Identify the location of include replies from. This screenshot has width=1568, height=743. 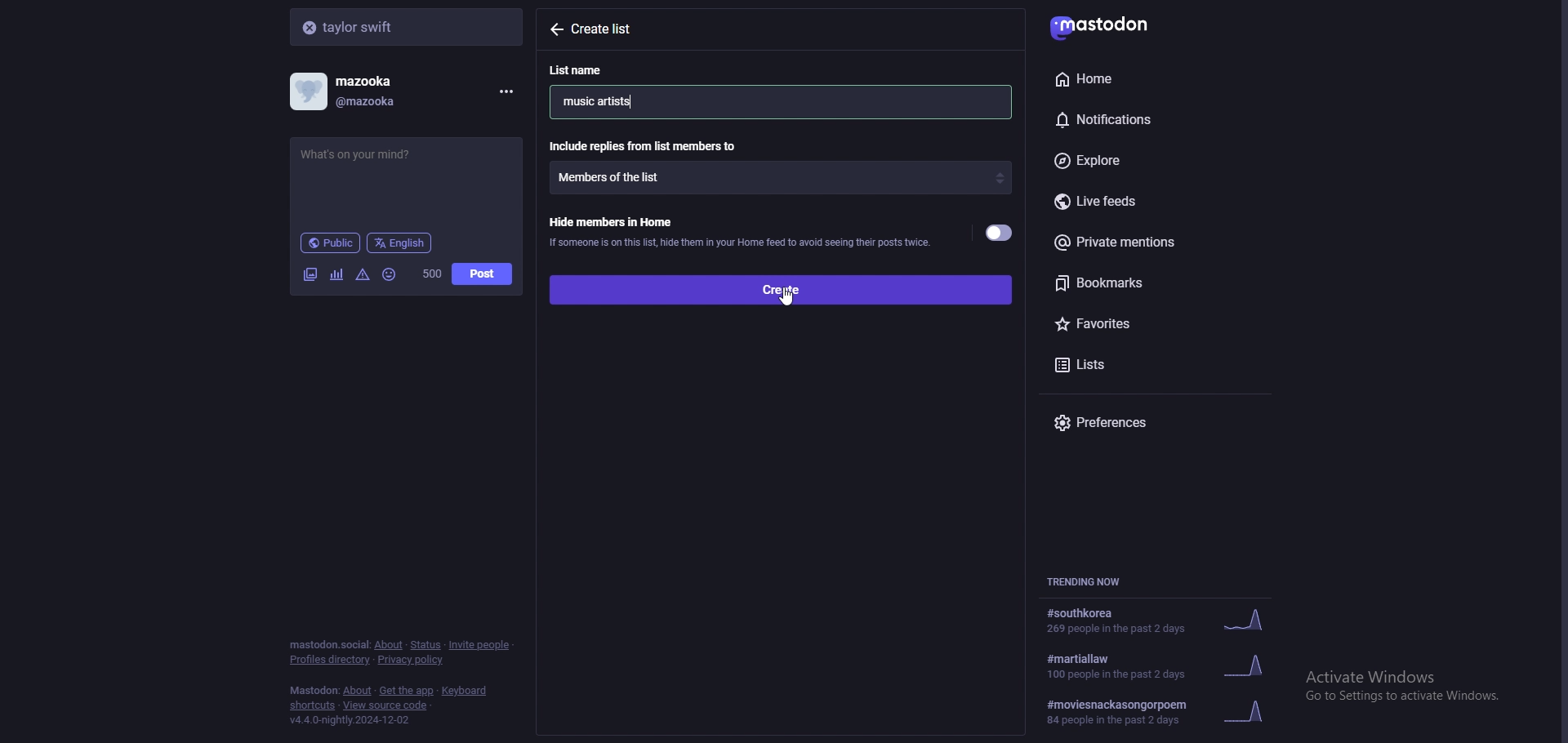
(781, 177).